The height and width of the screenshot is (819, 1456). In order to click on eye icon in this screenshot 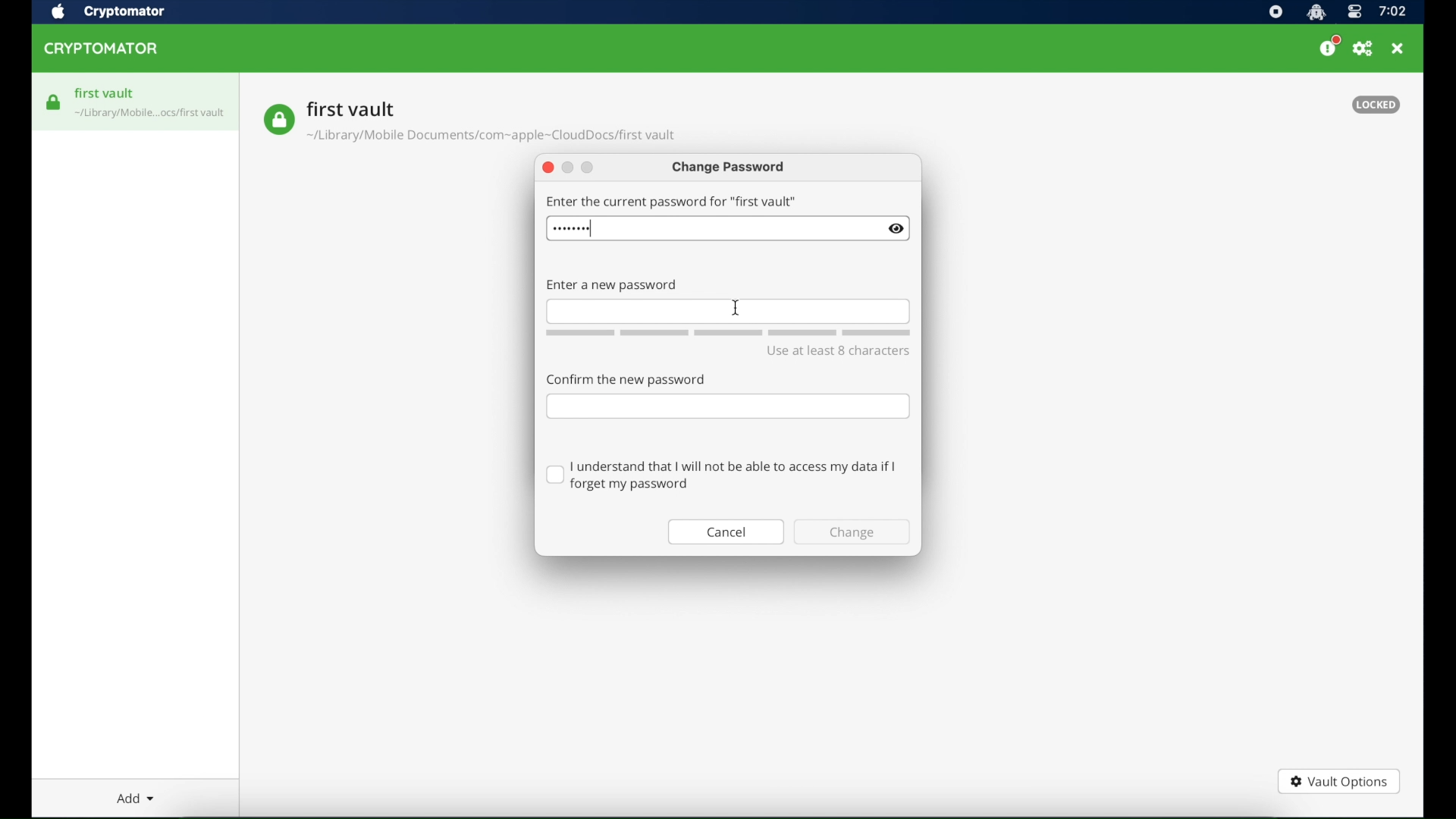, I will do `click(896, 229)`.